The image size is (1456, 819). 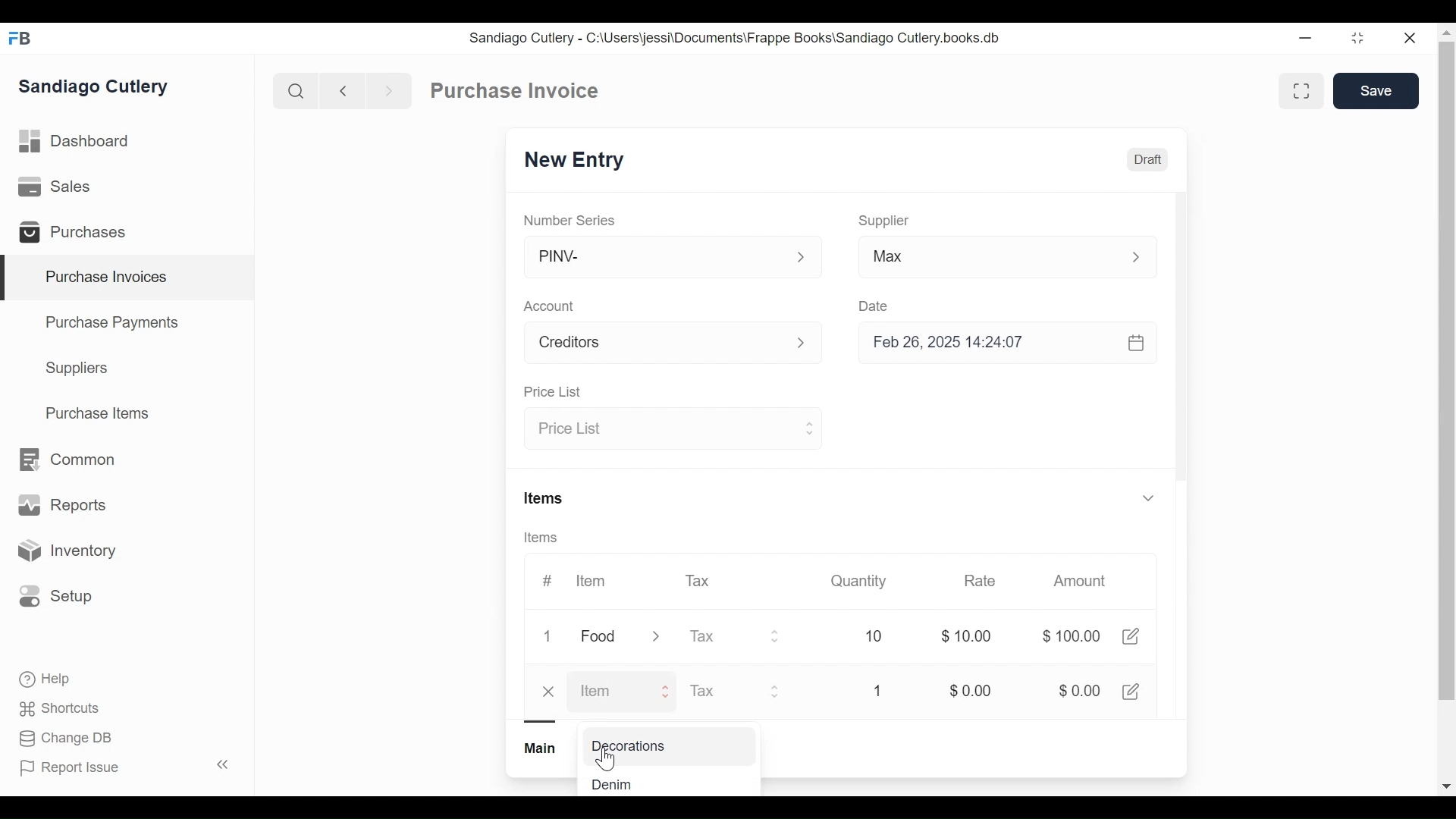 What do you see at coordinates (541, 499) in the screenshot?
I see `Items` at bounding box center [541, 499].